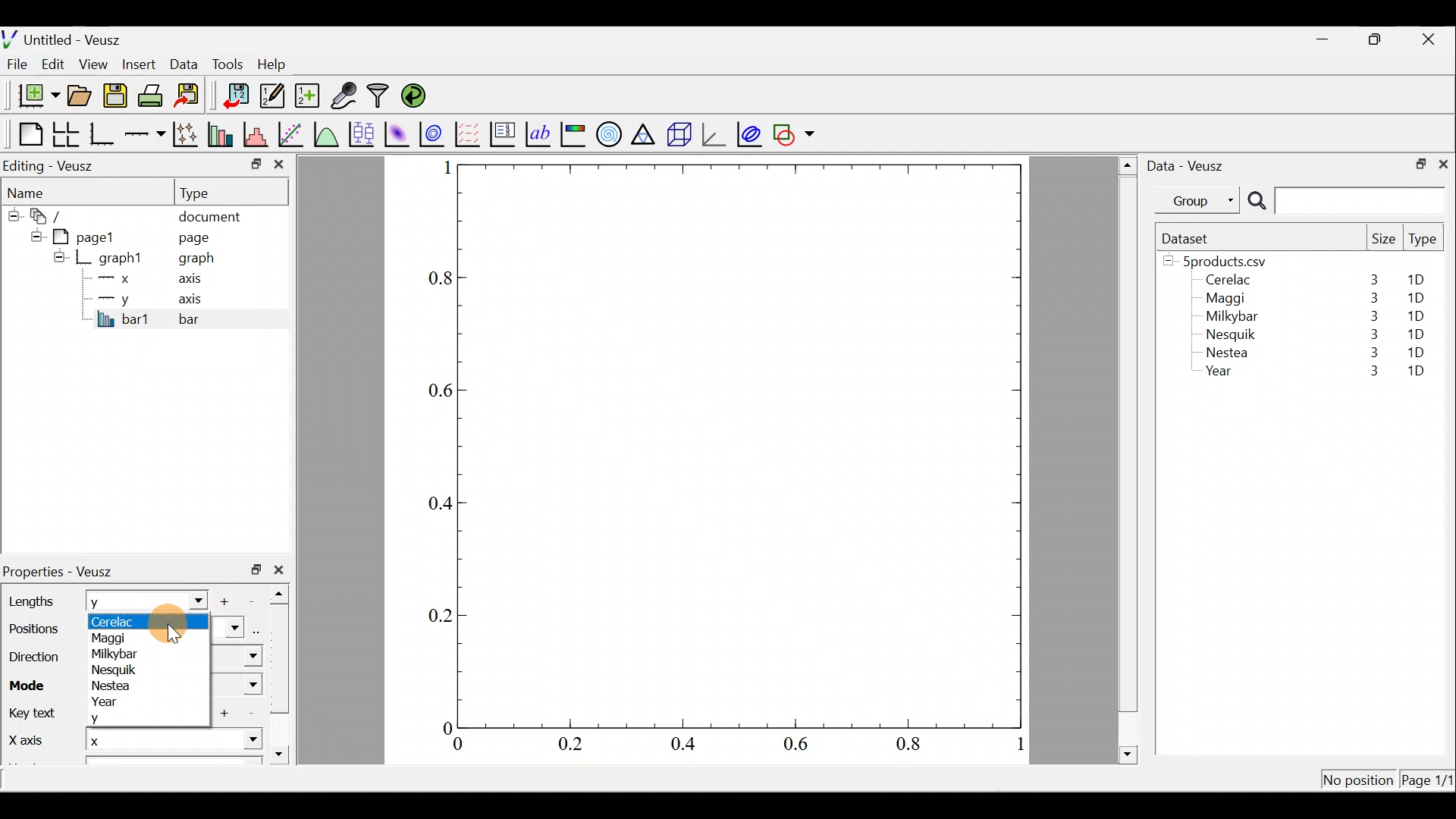 Image resolution: width=1456 pixels, height=819 pixels. Describe the element at coordinates (445, 727) in the screenshot. I see `0` at that location.